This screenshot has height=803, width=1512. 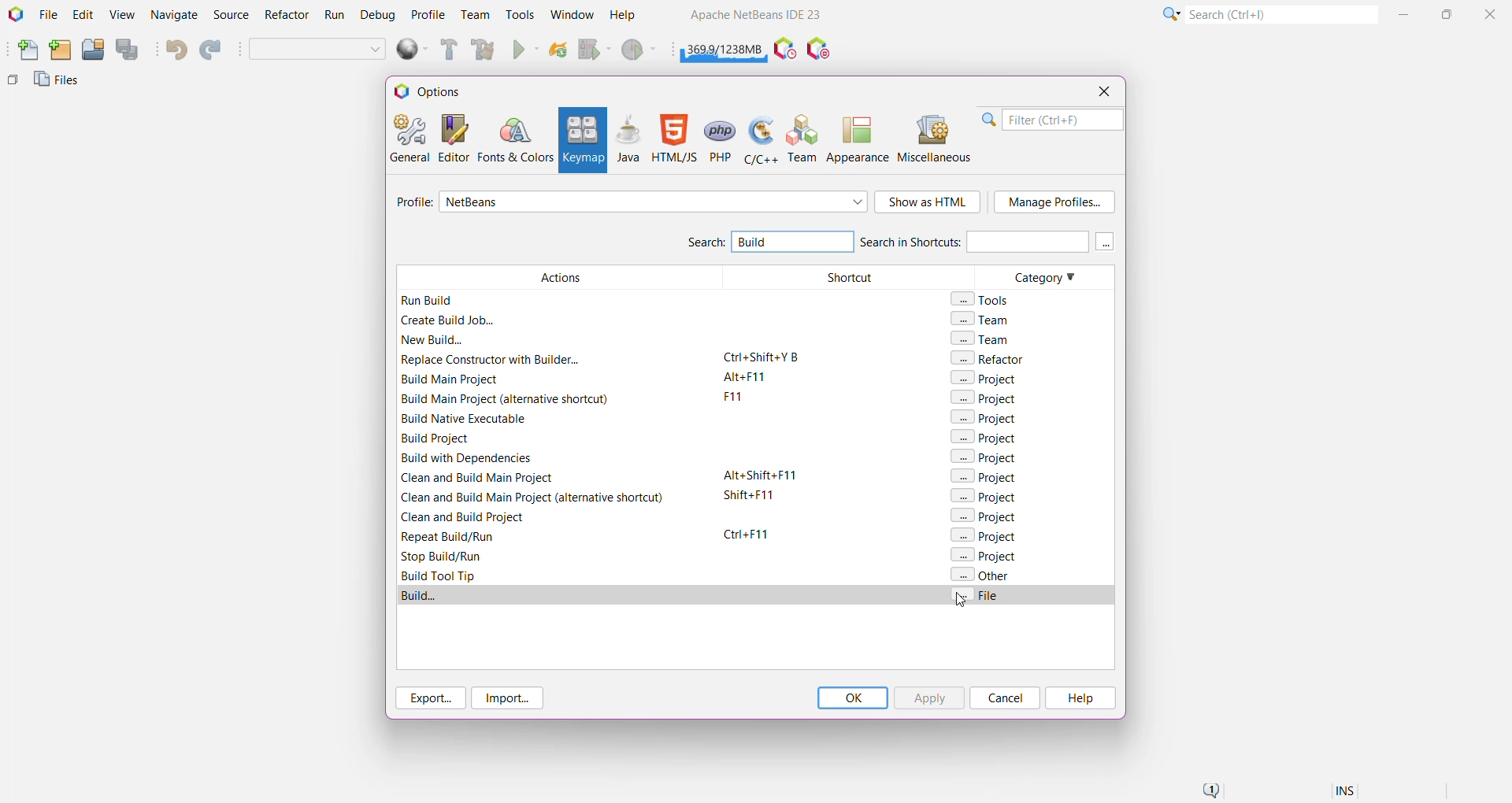 I want to click on Fonts and Colors, so click(x=515, y=139).